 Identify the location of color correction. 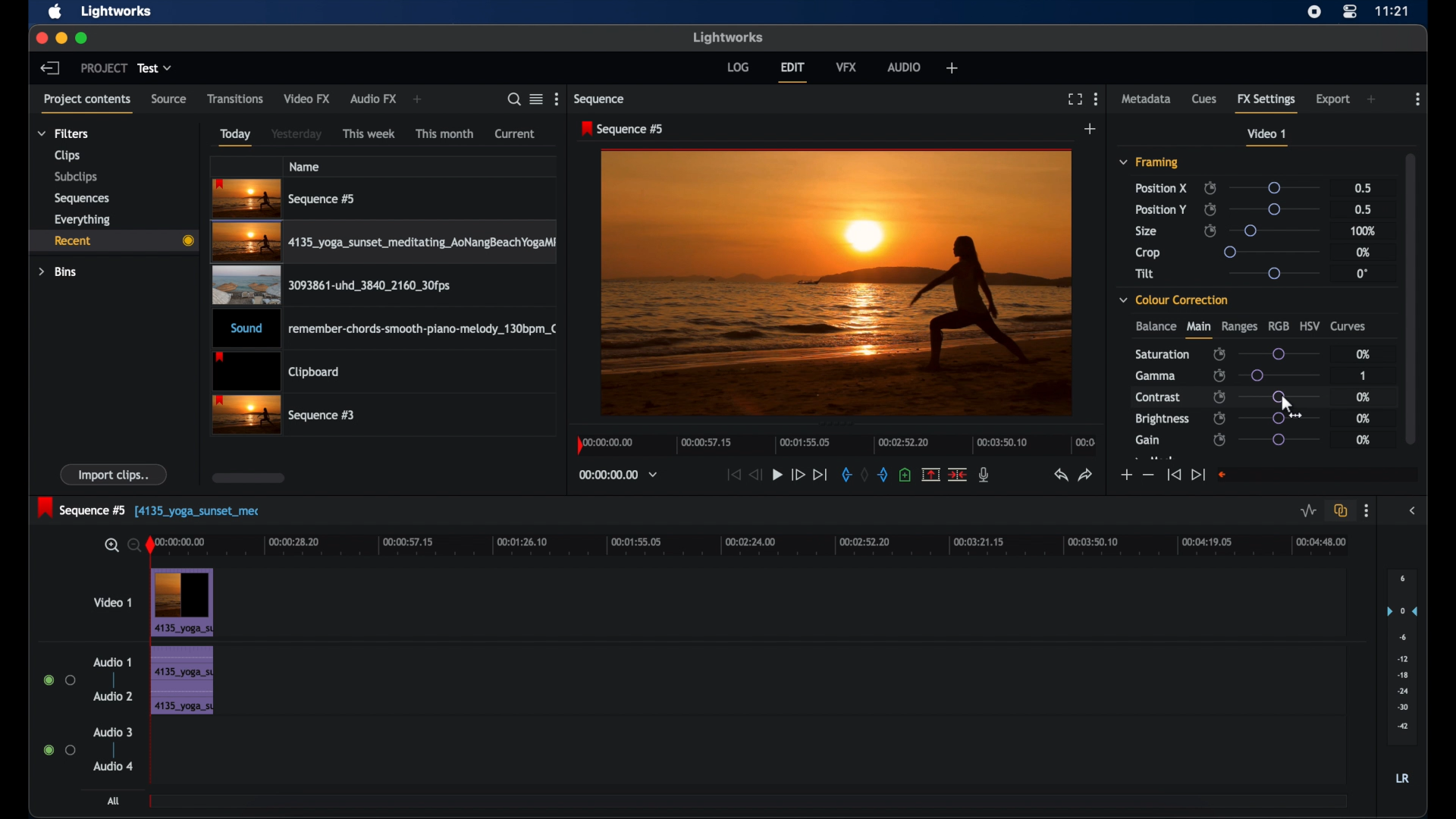
(1174, 300).